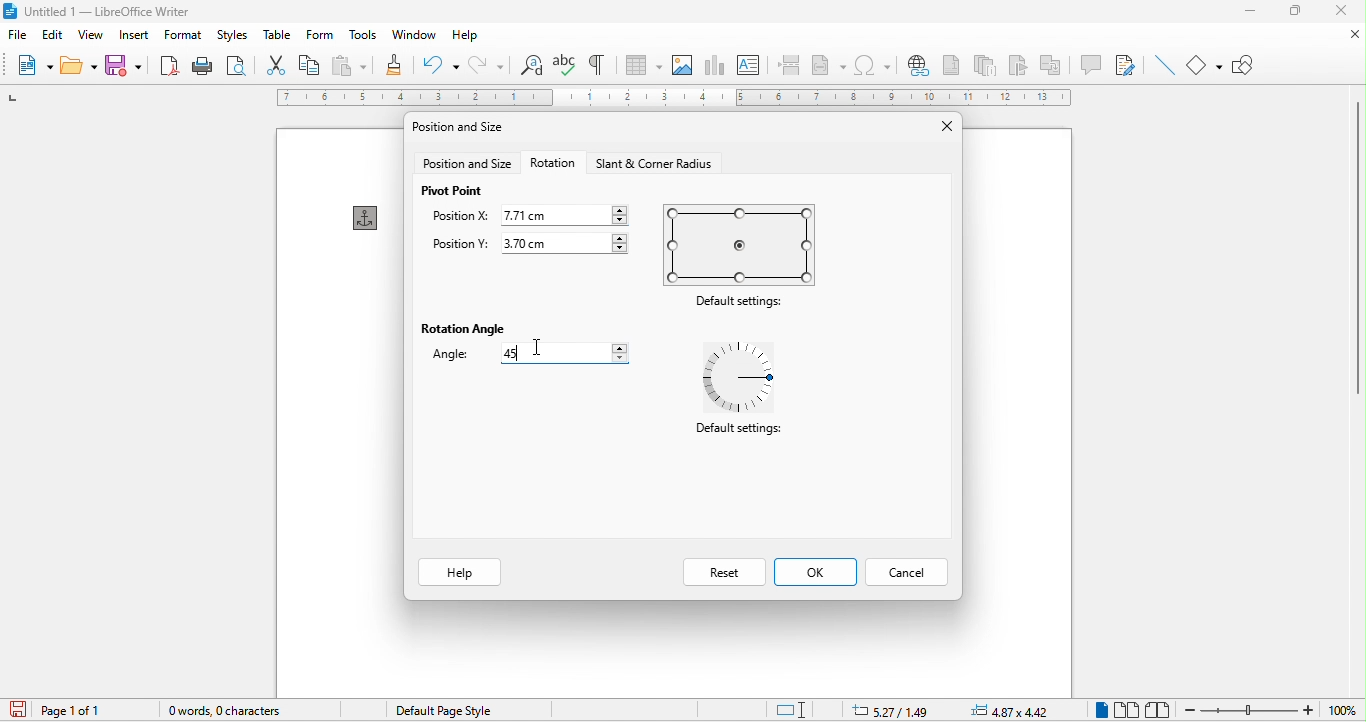  Describe the element at coordinates (1206, 64) in the screenshot. I see `basic shapes` at that location.